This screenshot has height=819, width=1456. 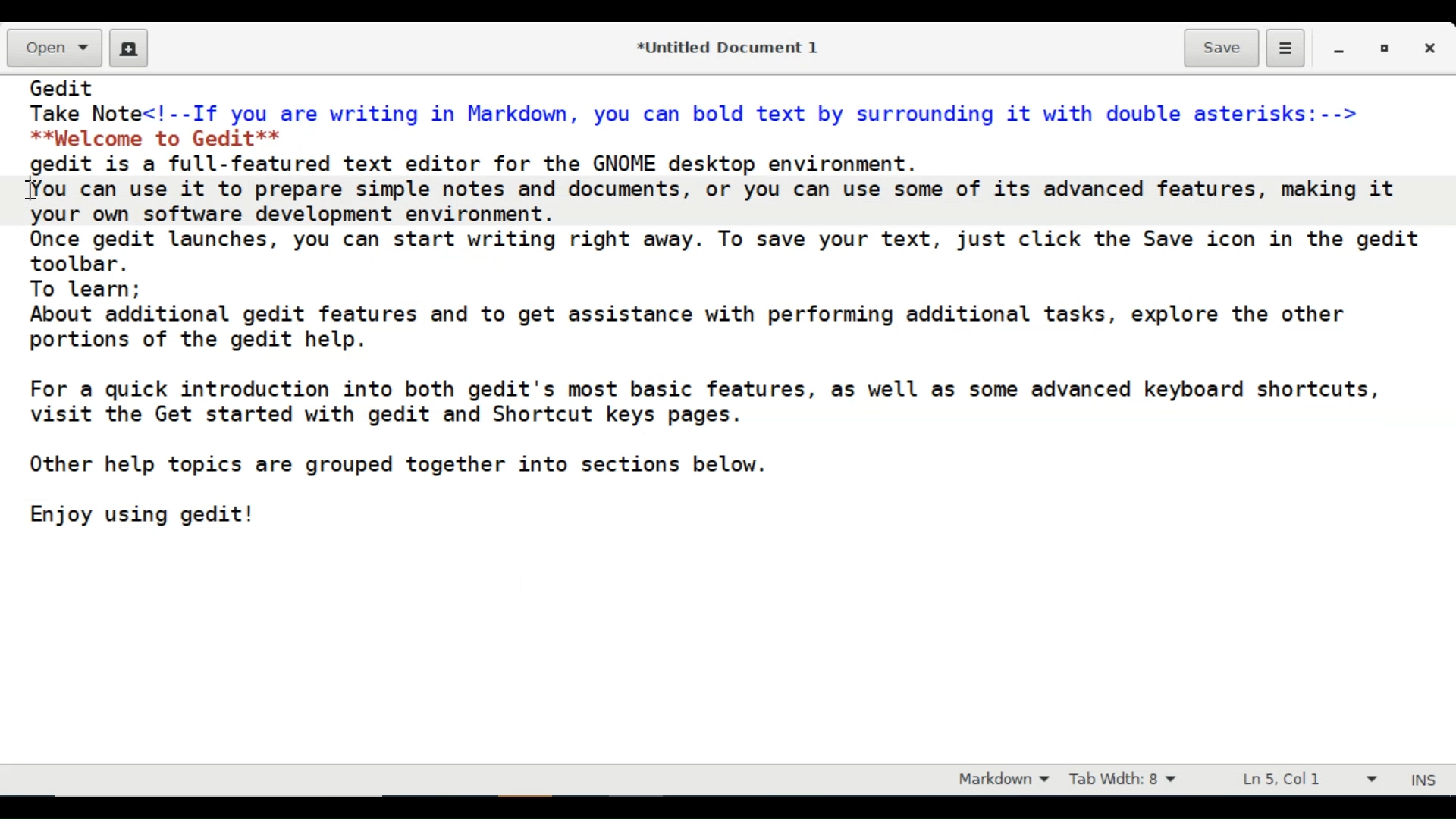 I want to click on Insertion cursor, so click(x=31, y=192).